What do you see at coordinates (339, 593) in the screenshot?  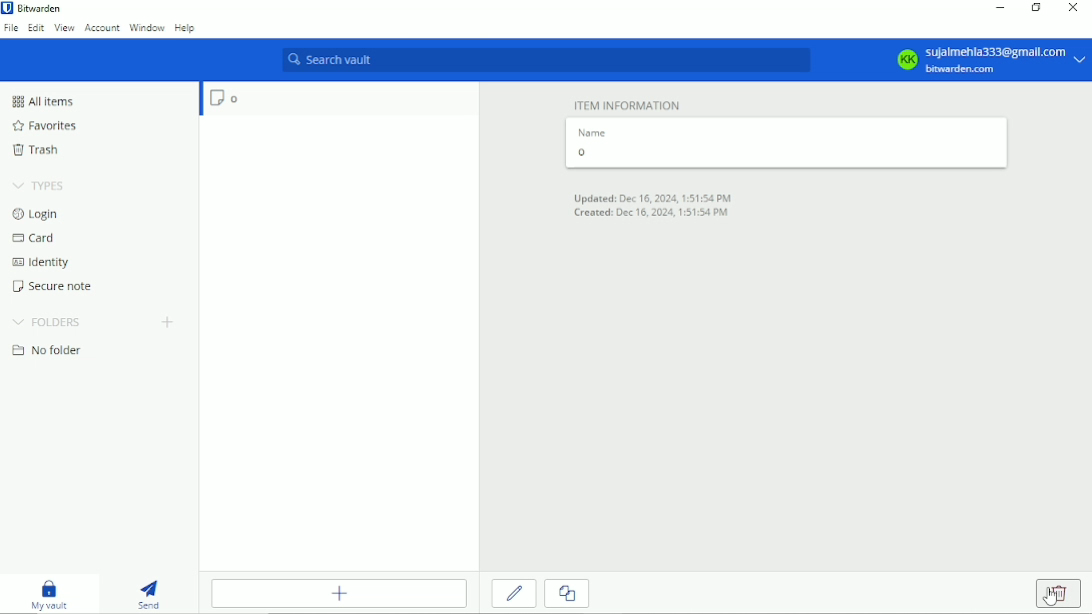 I see `Add item` at bounding box center [339, 593].